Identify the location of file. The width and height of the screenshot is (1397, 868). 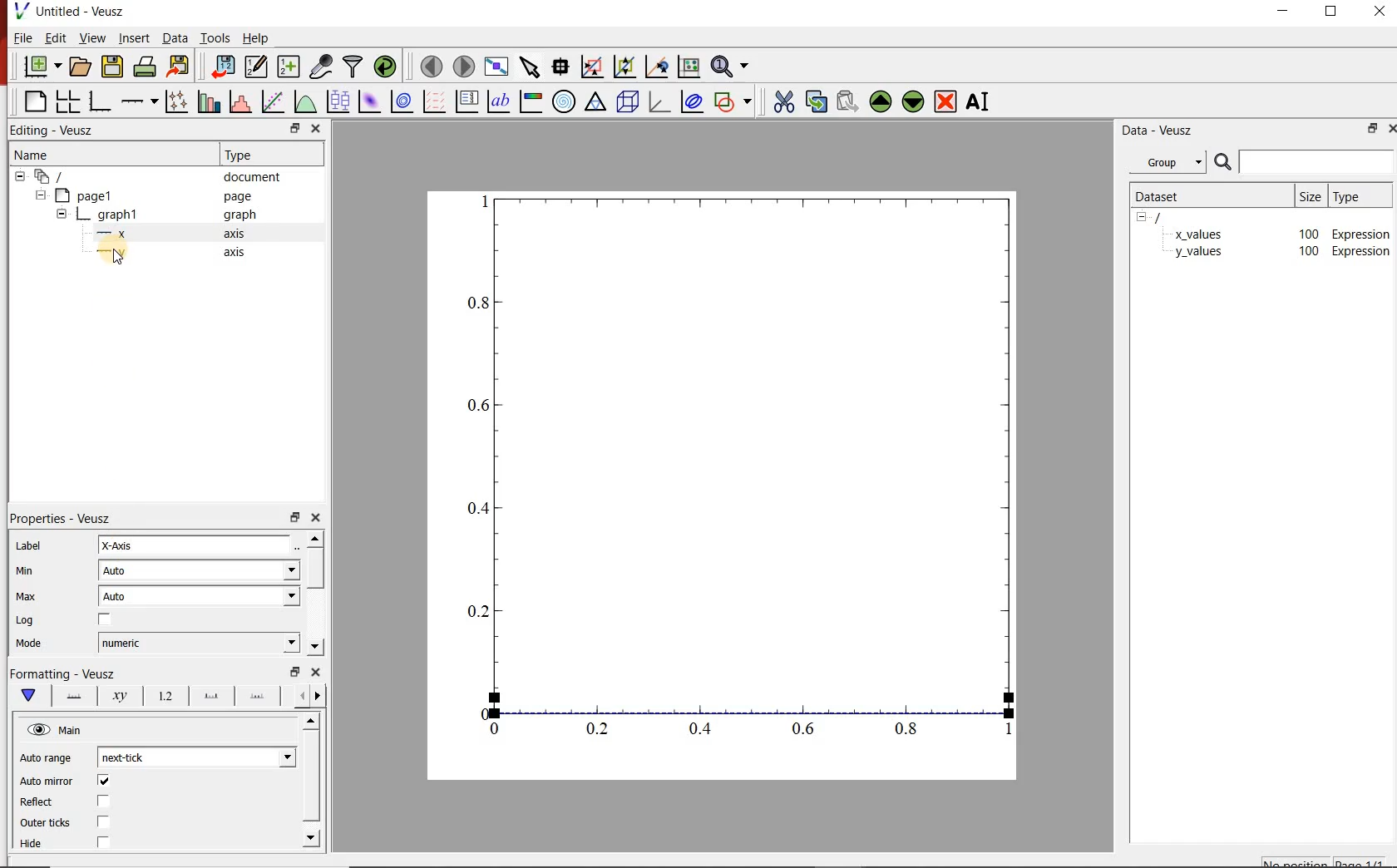
(24, 37).